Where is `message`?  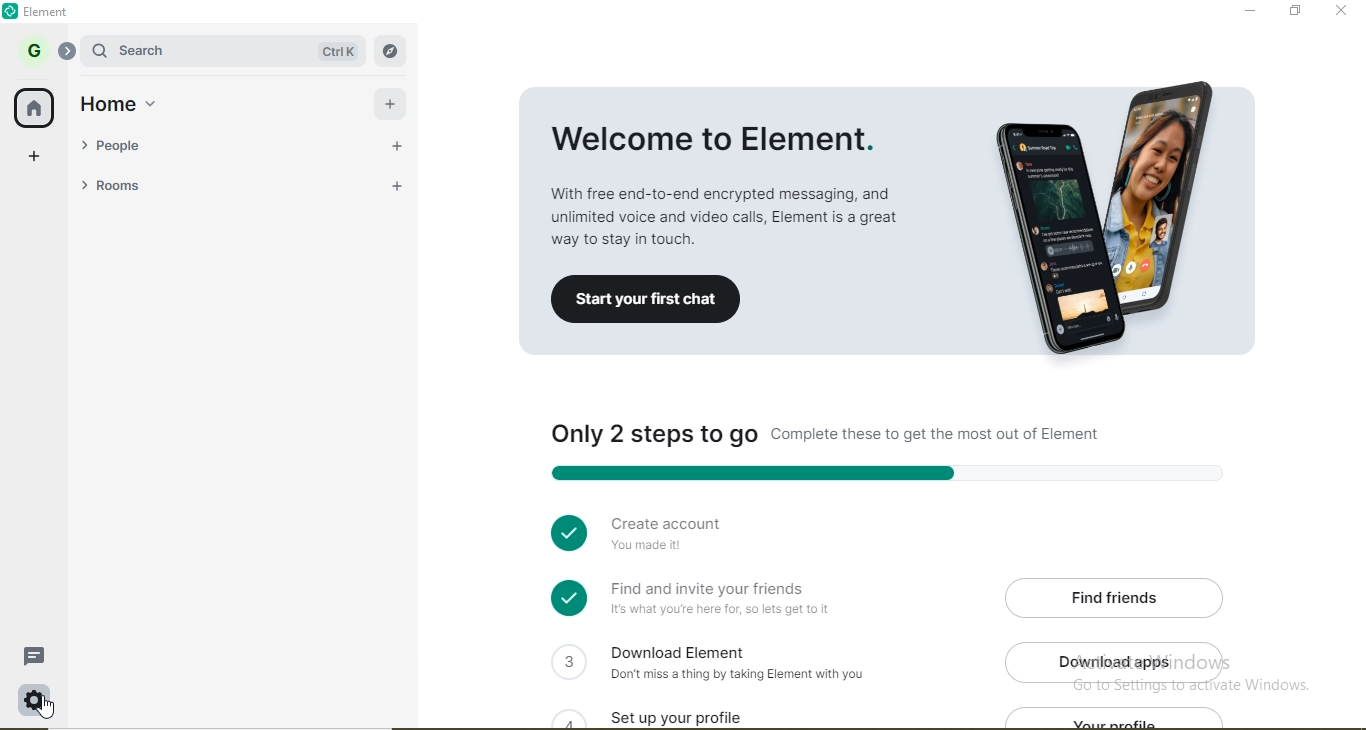
message is located at coordinates (37, 656).